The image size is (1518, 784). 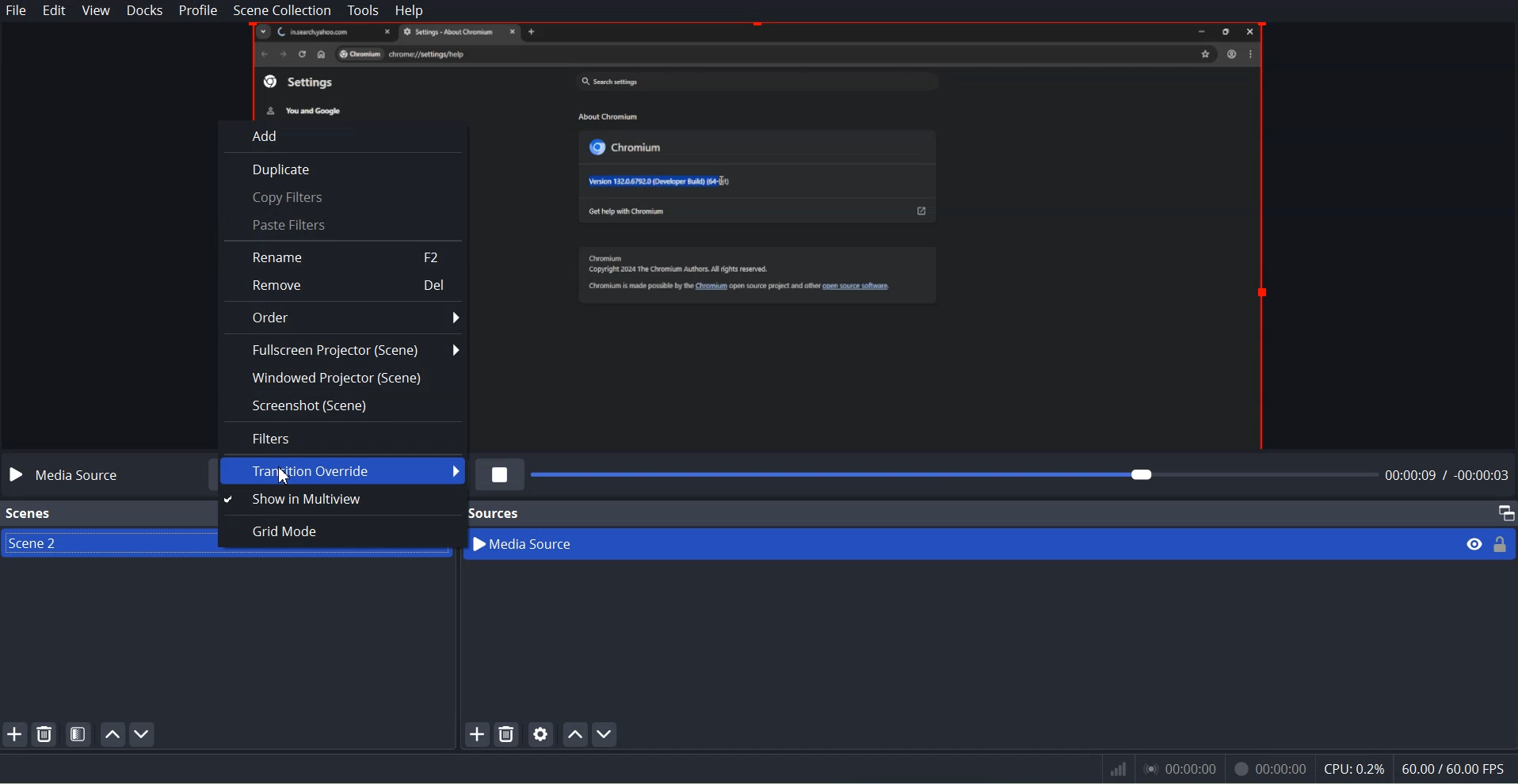 What do you see at coordinates (1505, 512) in the screenshot?
I see `Maximize` at bounding box center [1505, 512].